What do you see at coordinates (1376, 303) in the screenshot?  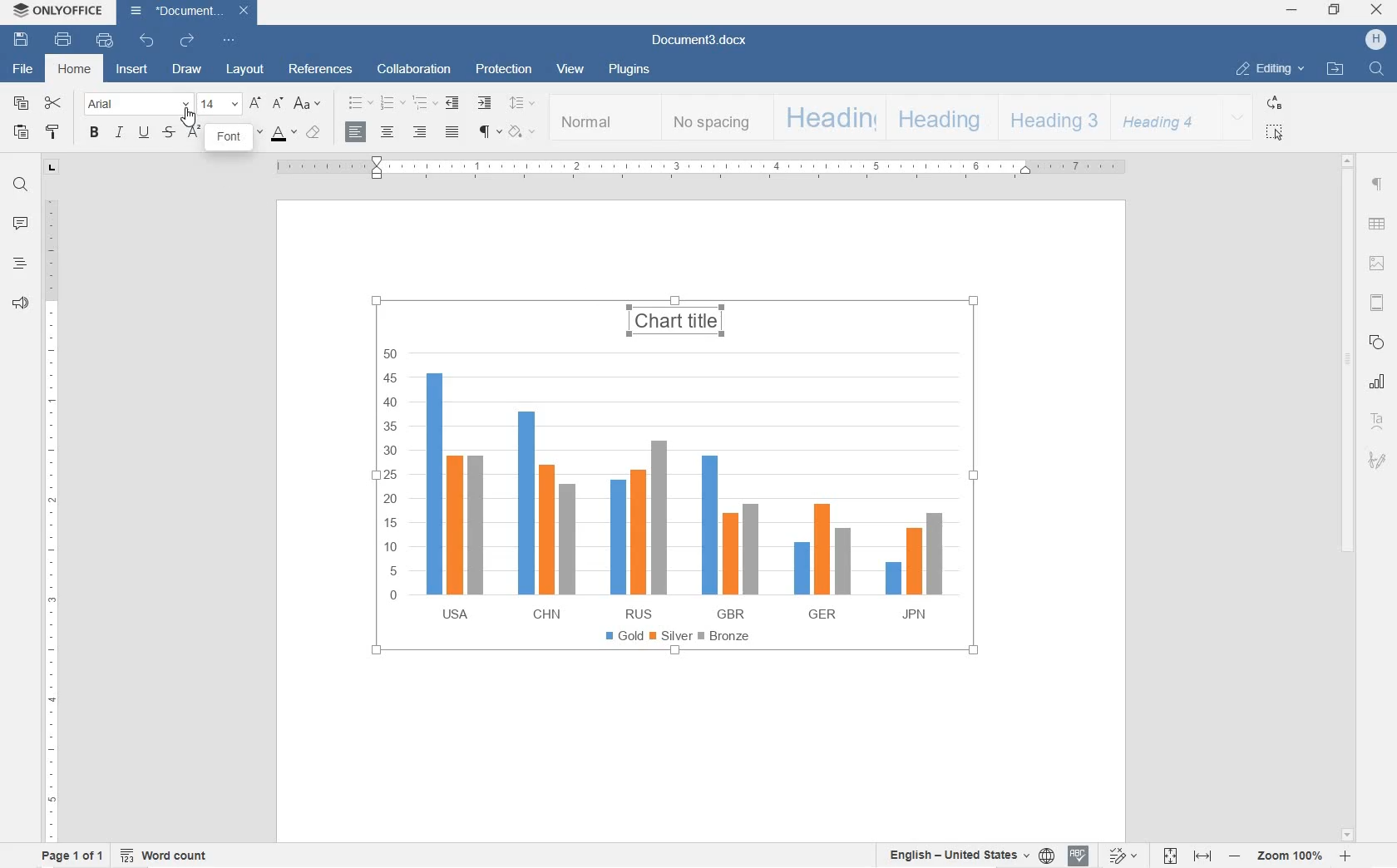 I see `HEADER & FOOTERS` at bounding box center [1376, 303].